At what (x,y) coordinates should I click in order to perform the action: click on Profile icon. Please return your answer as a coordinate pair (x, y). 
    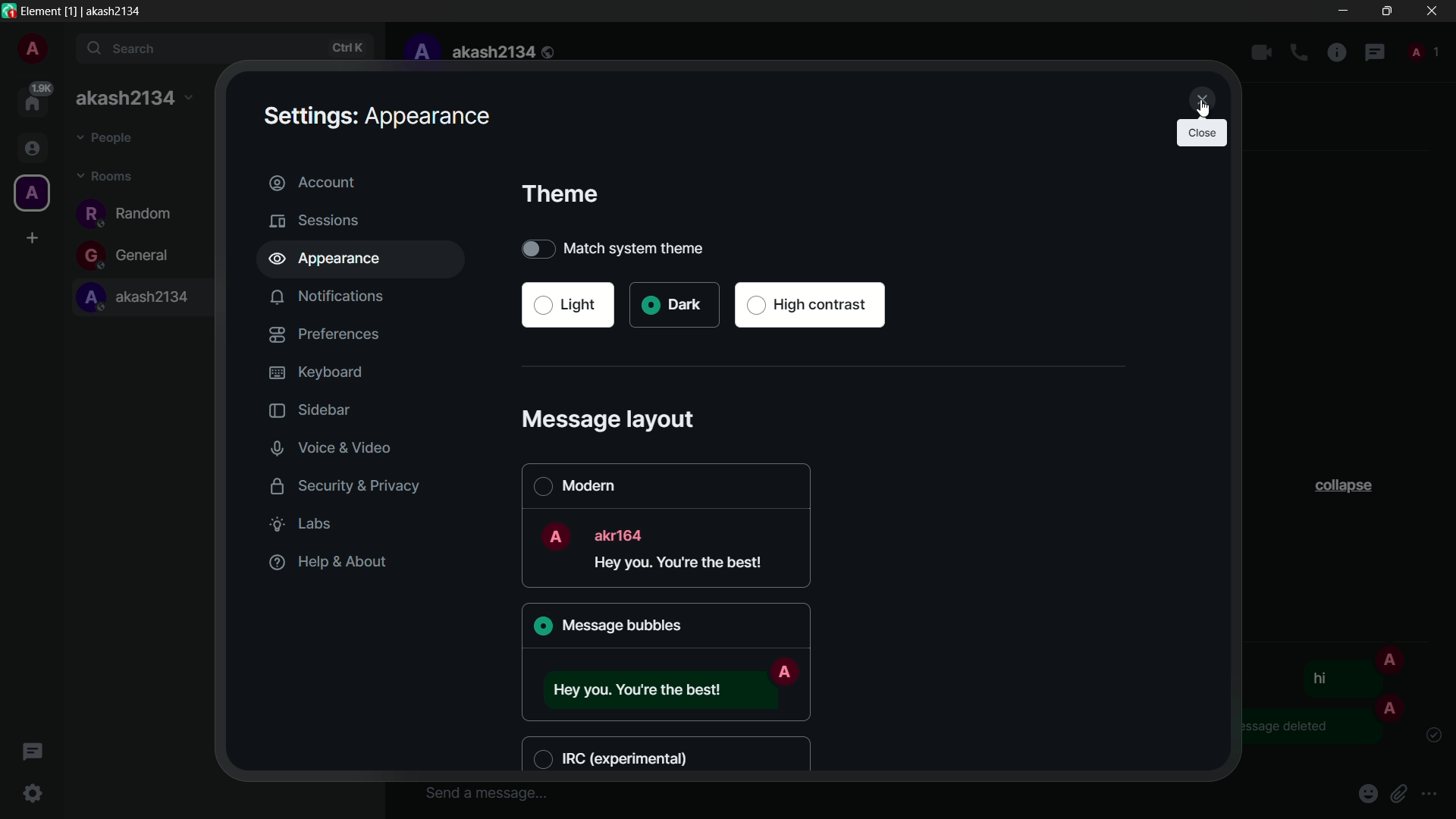
    Looking at the image, I should click on (784, 673).